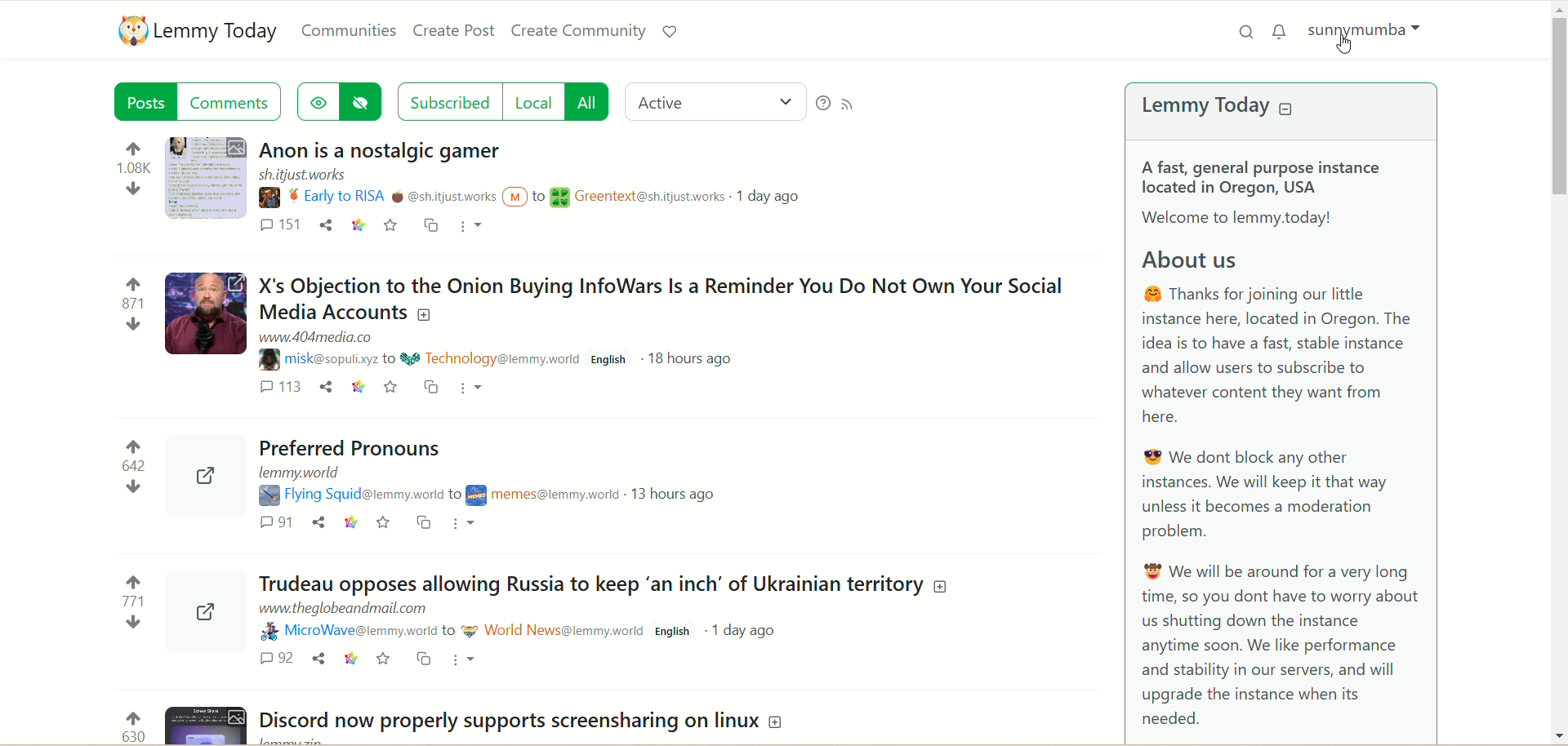 This screenshot has height=746, width=1568. I want to click on Link, so click(354, 524).